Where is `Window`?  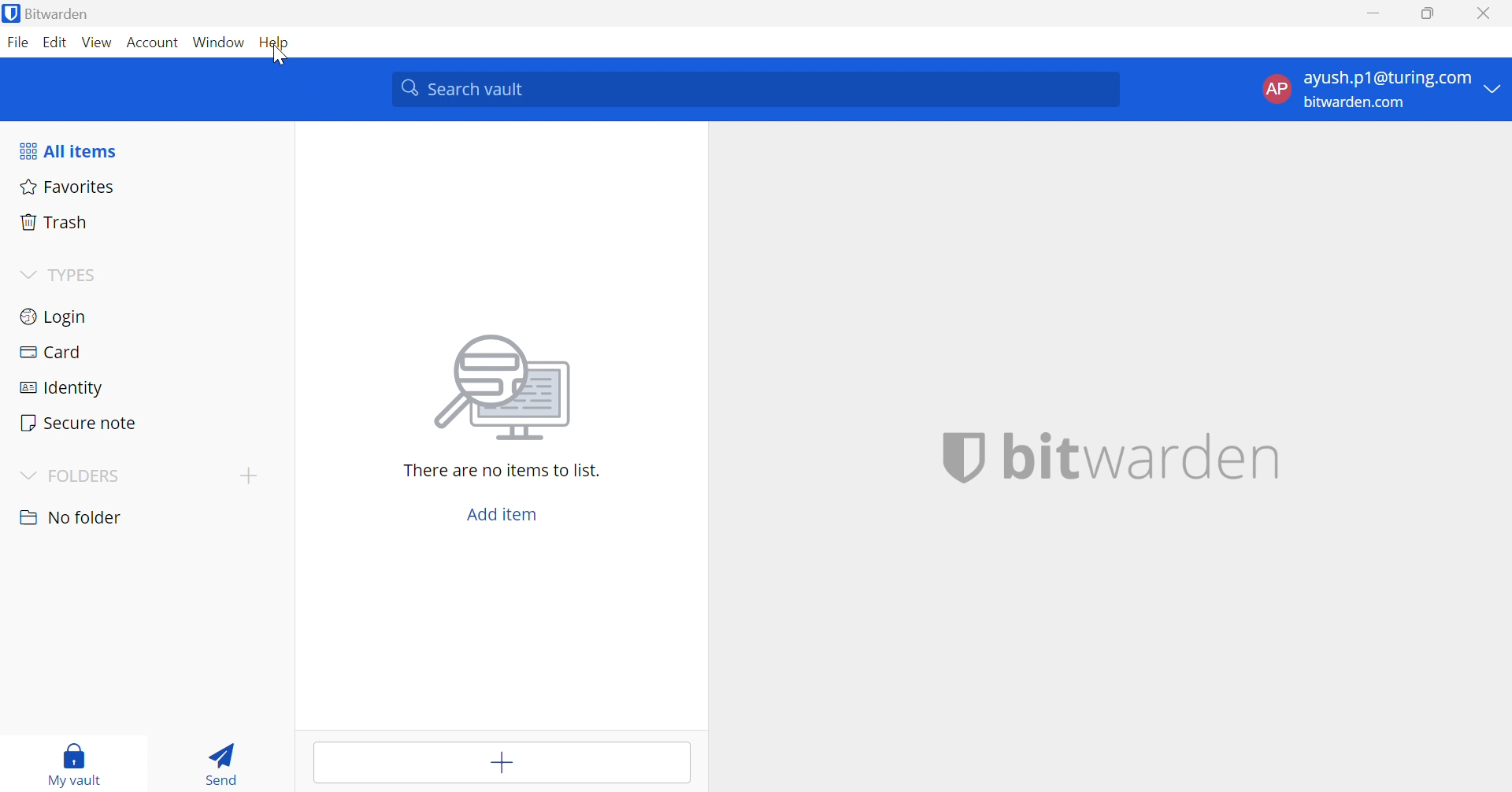 Window is located at coordinates (219, 43).